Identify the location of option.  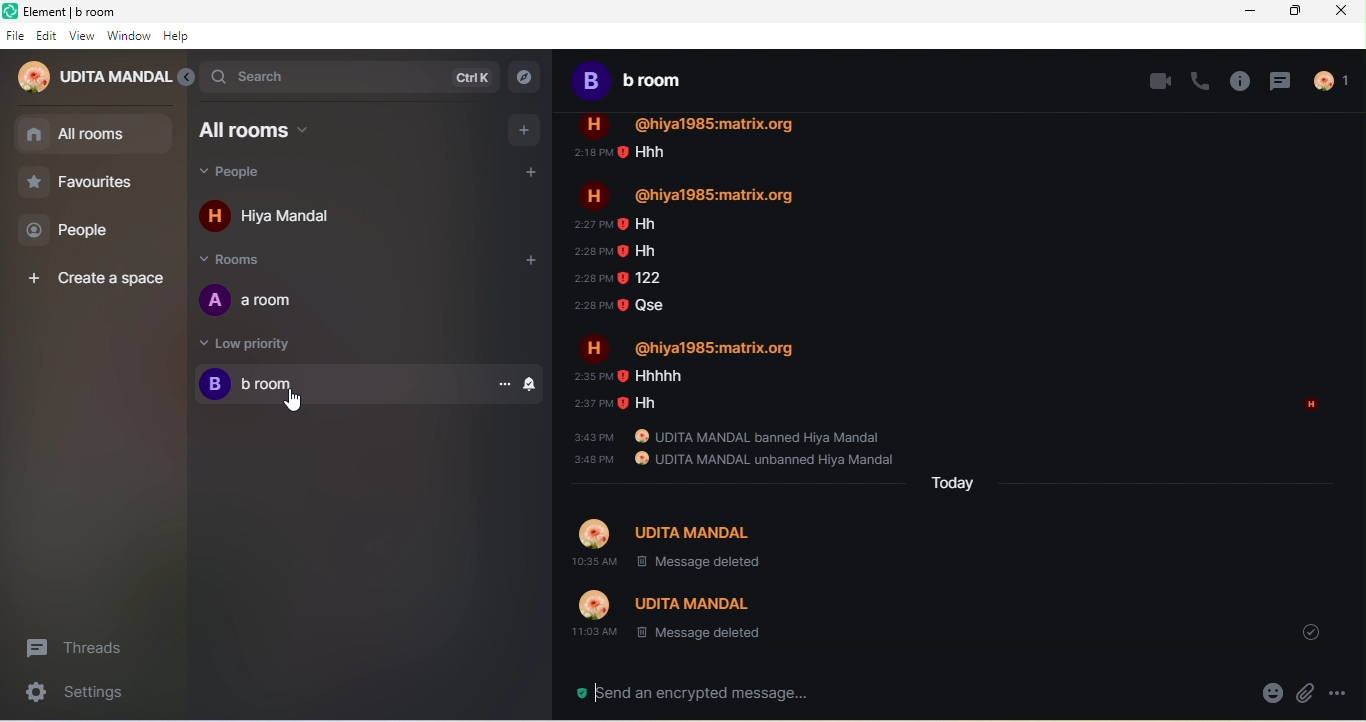
(507, 384).